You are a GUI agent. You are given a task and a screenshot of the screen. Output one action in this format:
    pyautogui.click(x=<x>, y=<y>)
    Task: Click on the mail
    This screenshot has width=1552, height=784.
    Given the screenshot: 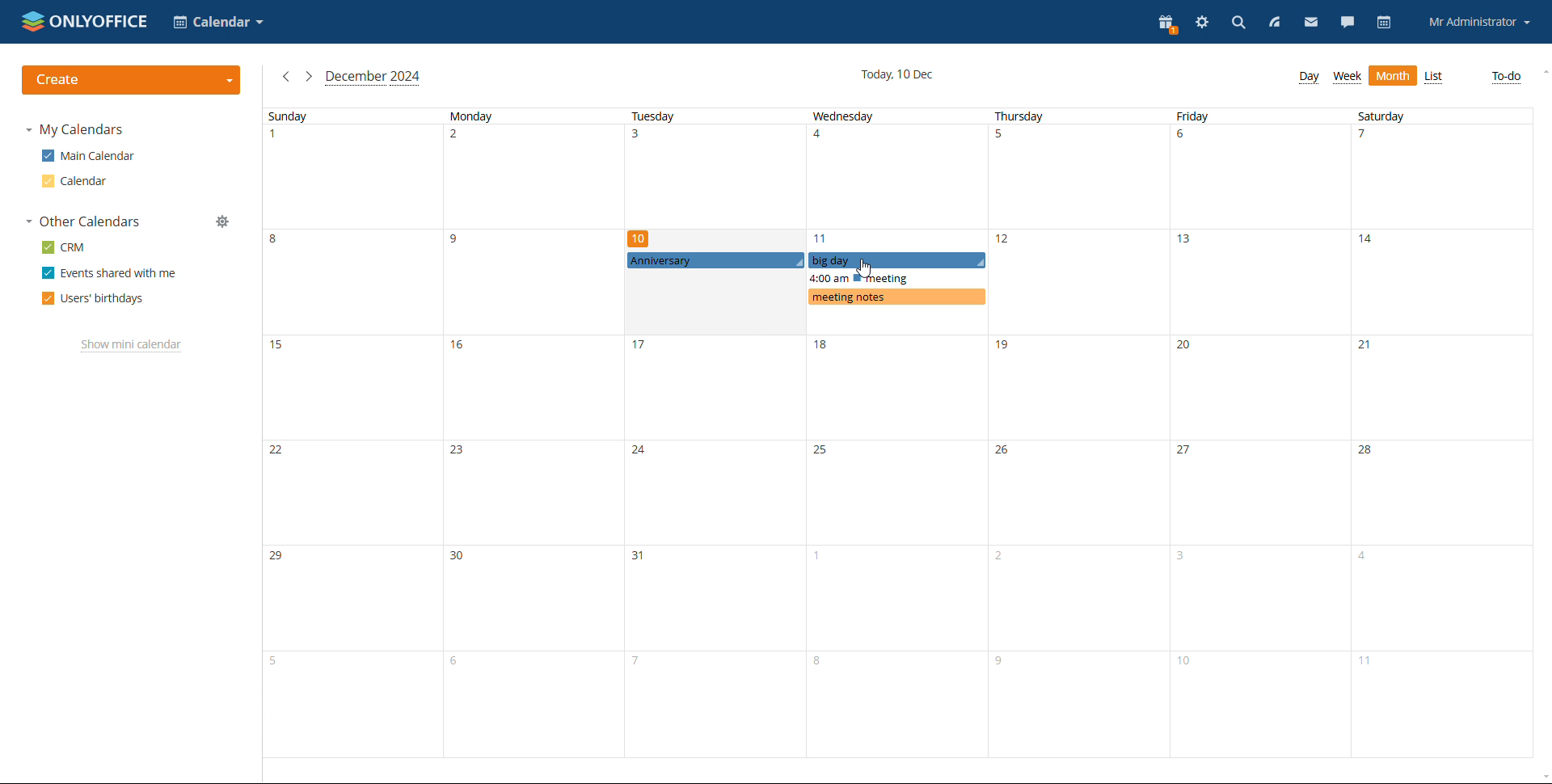 What is the action you would take?
    pyautogui.click(x=1311, y=23)
    